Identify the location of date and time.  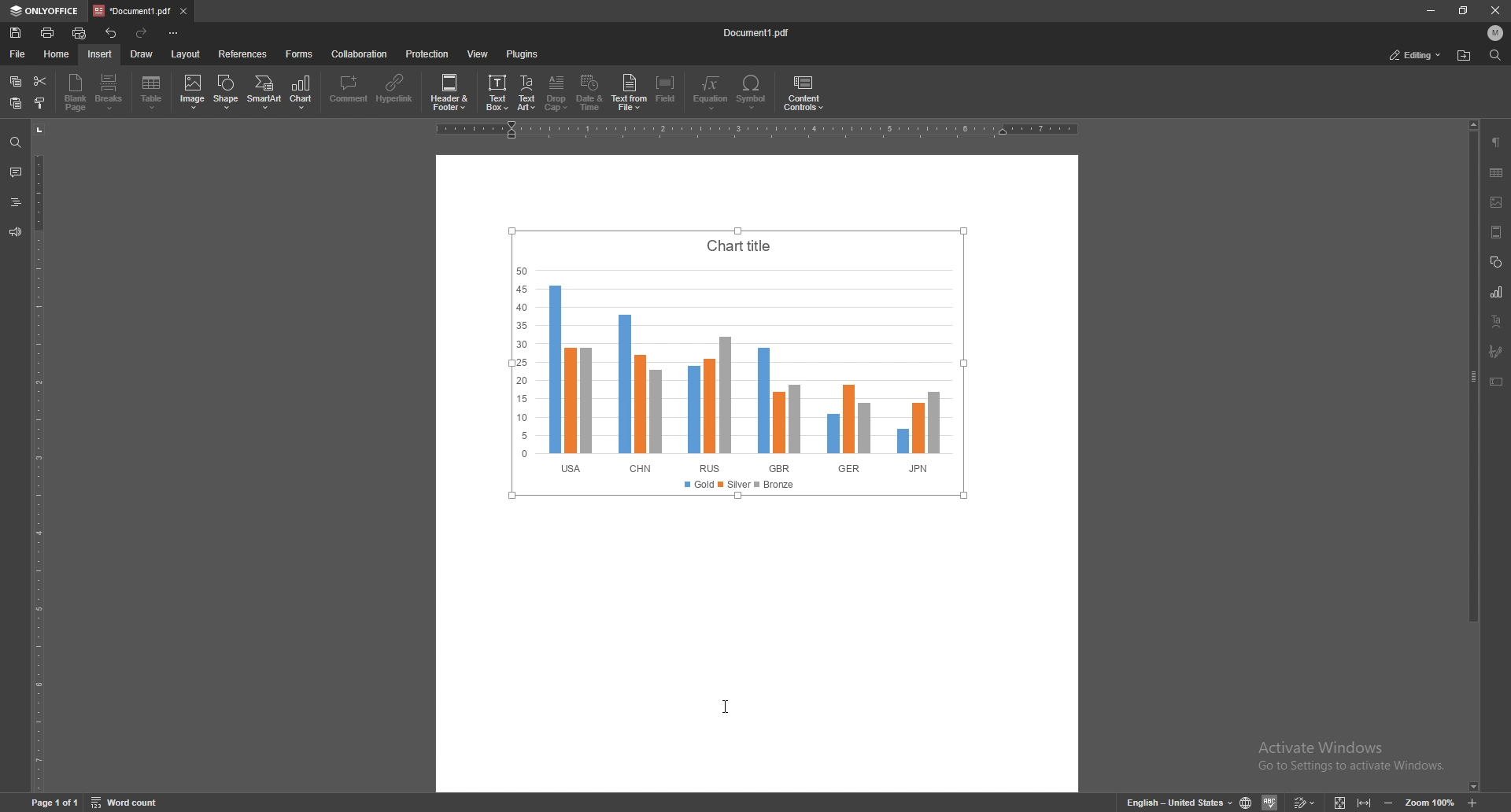
(452, 92).